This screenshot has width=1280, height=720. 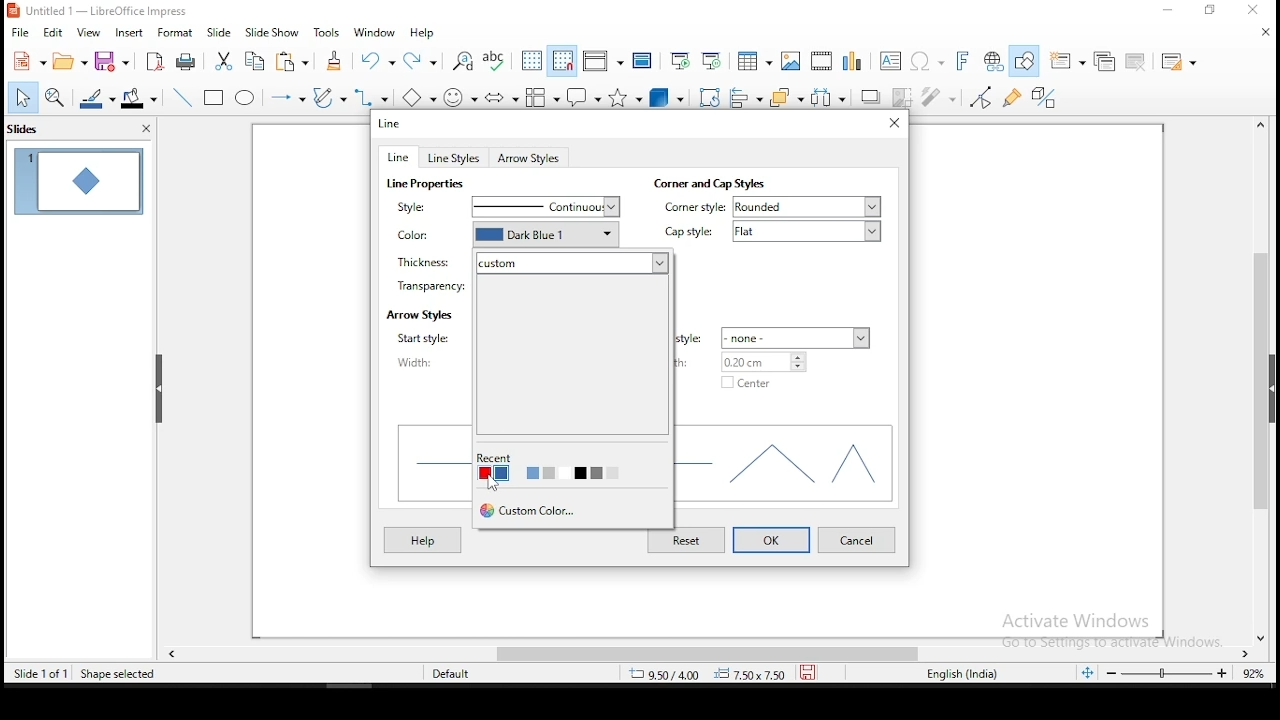 I want to click on display views, so click(x=602, y=60).